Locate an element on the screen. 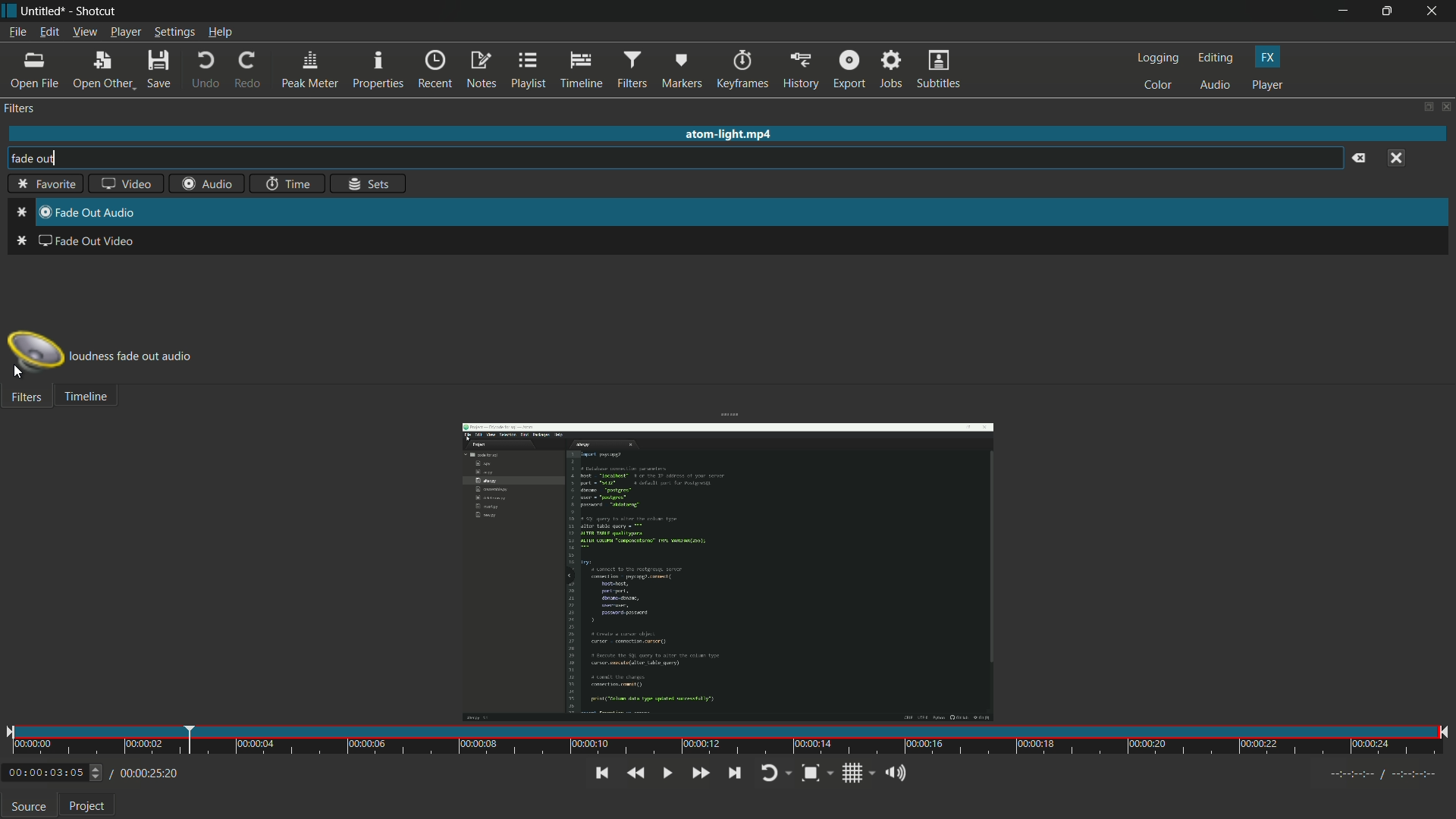  toggle play or pause is located at coordinates (667, 773).